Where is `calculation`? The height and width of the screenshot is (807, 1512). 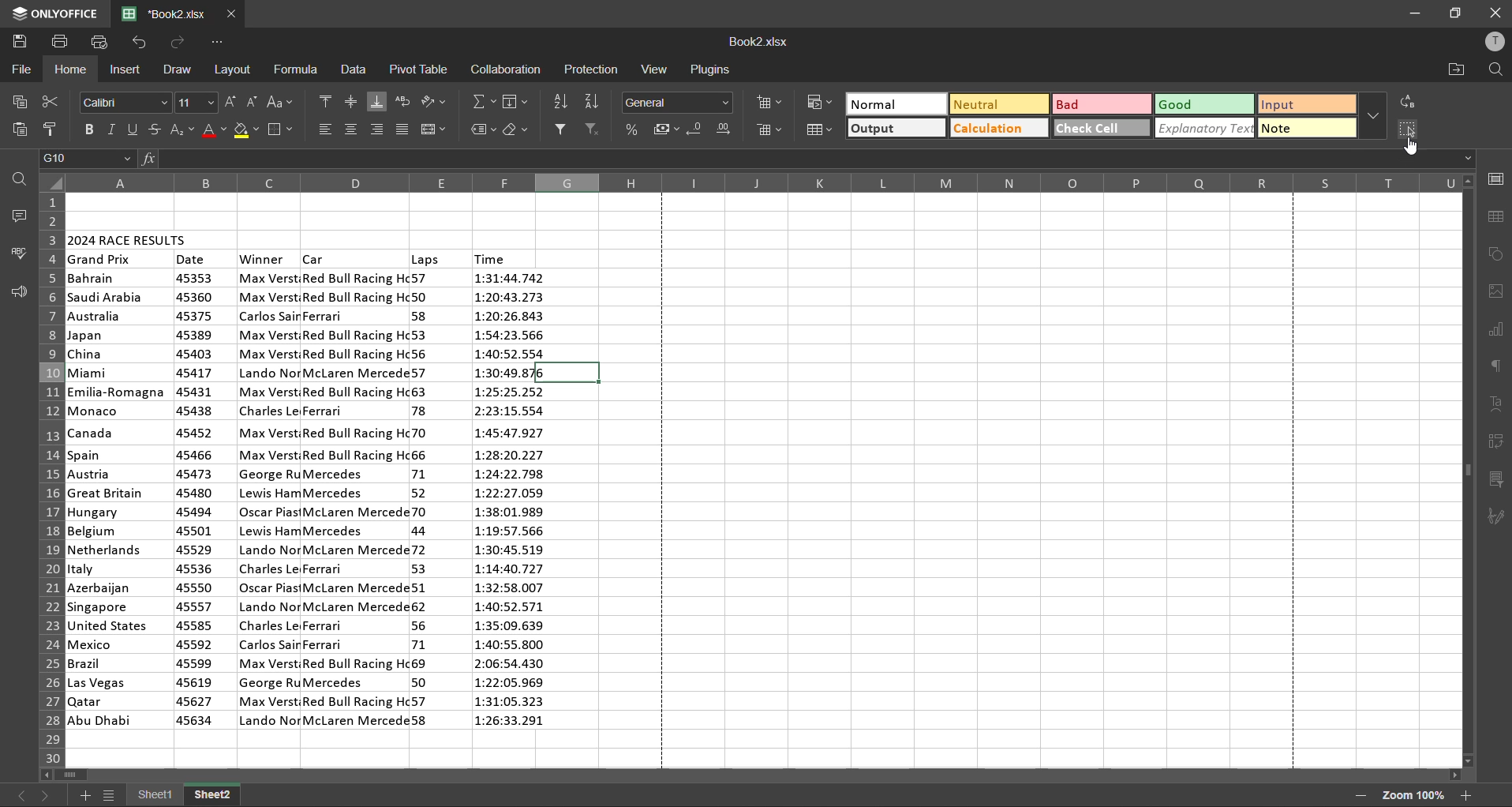
calculation is located at coordinates (997, 129).